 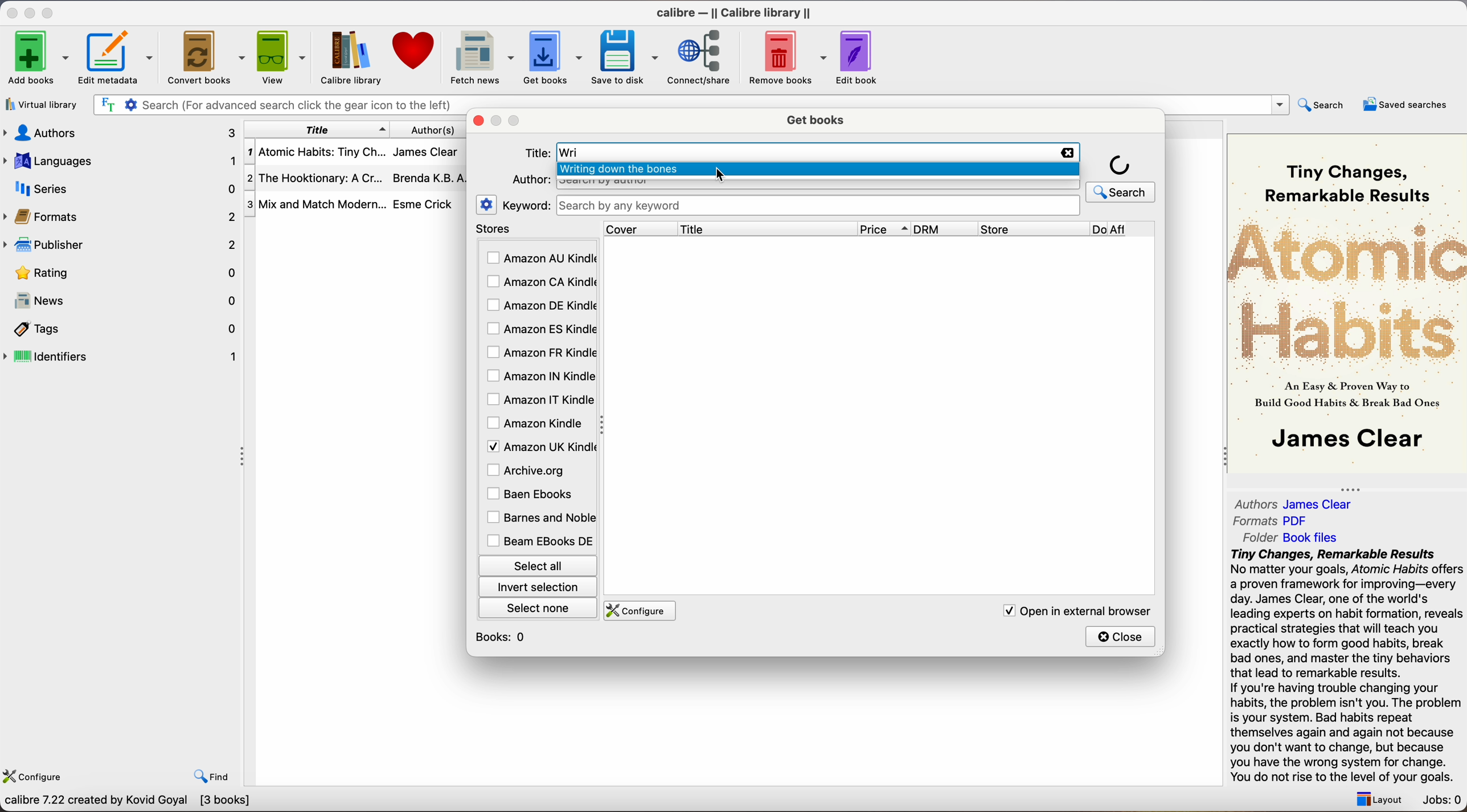 What do you see at coordinates (1125, 230) in the screenshot?
I see `do Af1` at bounding box center [1125, 230].